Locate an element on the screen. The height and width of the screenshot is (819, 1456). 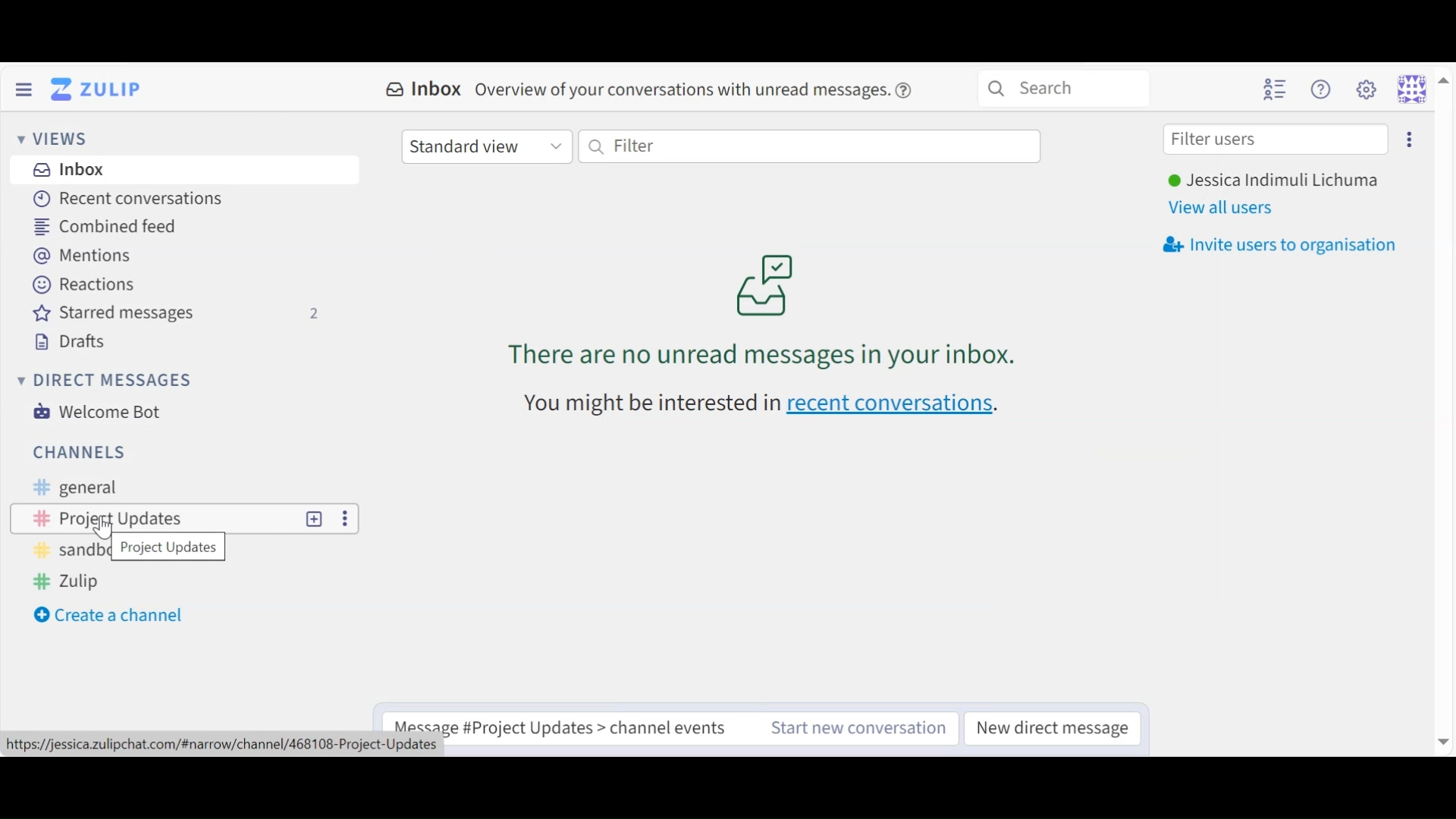
Invite users to oragnisation is located at coordinates (1287, 245).